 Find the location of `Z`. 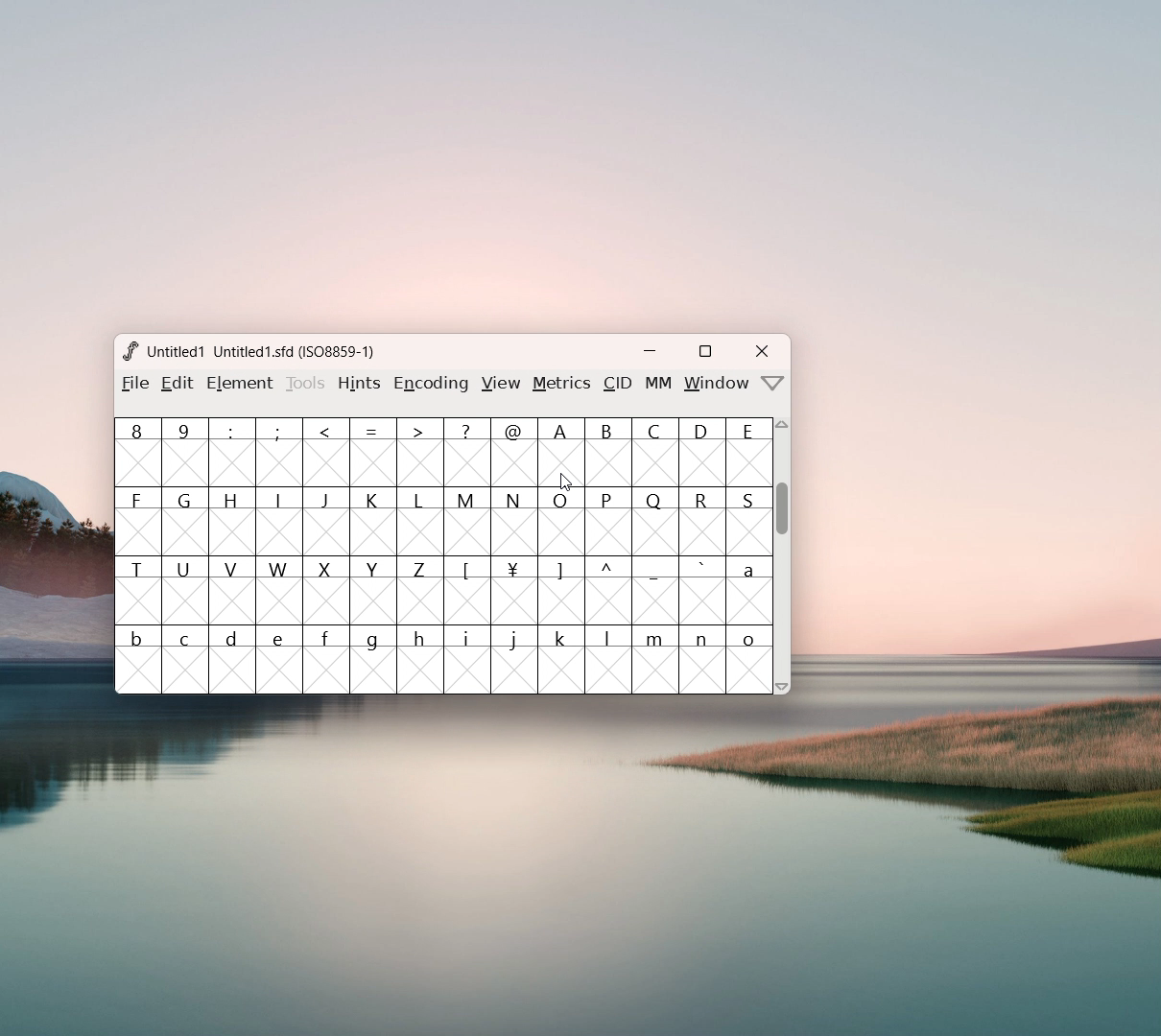

Z is located at coordinates (420, 591).